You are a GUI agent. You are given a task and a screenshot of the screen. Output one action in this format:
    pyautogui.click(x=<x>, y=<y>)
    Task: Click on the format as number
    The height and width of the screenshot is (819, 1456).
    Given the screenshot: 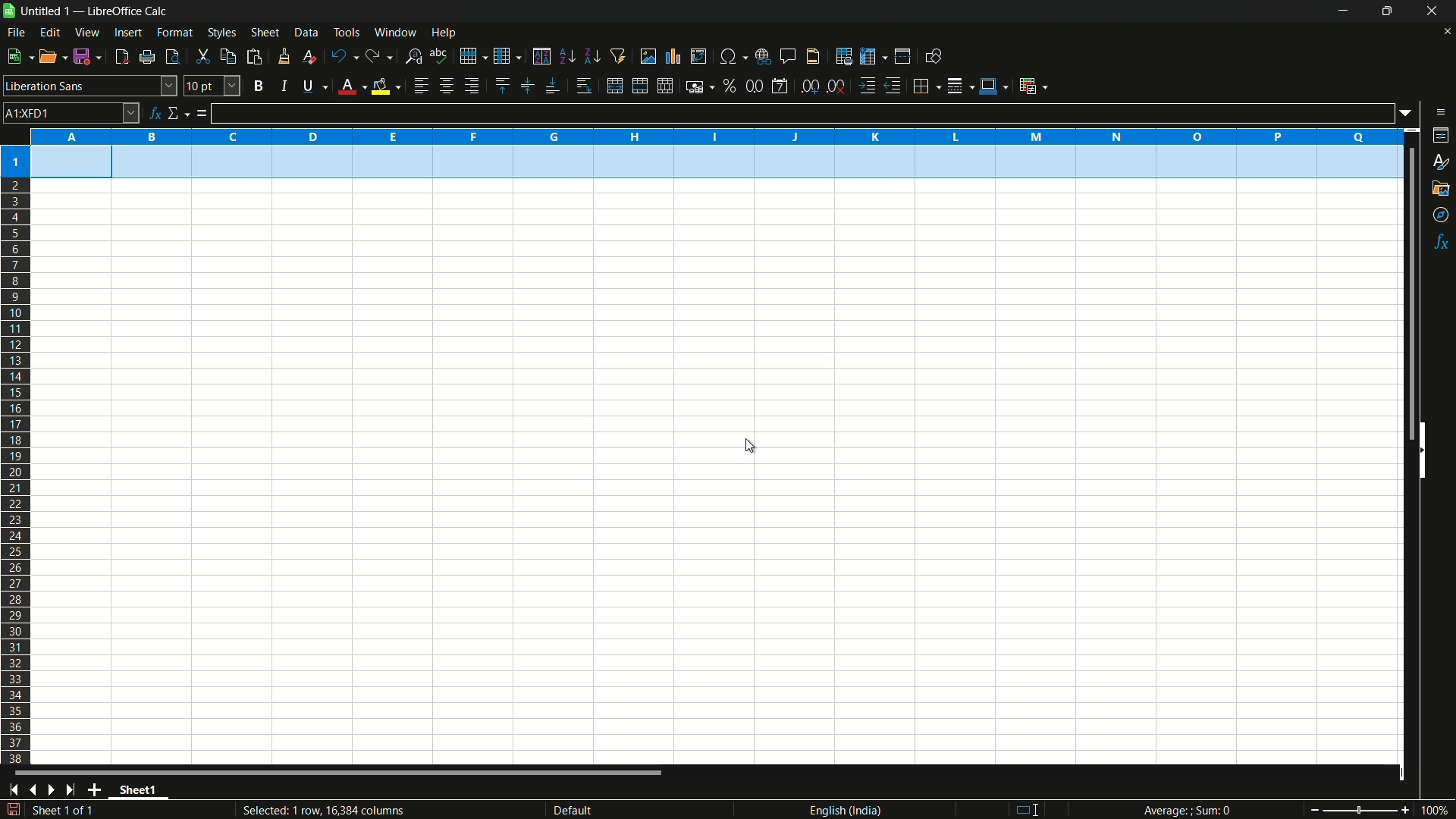 What is the action you would take?
    pyautogui.click(x=754, y=86)
    